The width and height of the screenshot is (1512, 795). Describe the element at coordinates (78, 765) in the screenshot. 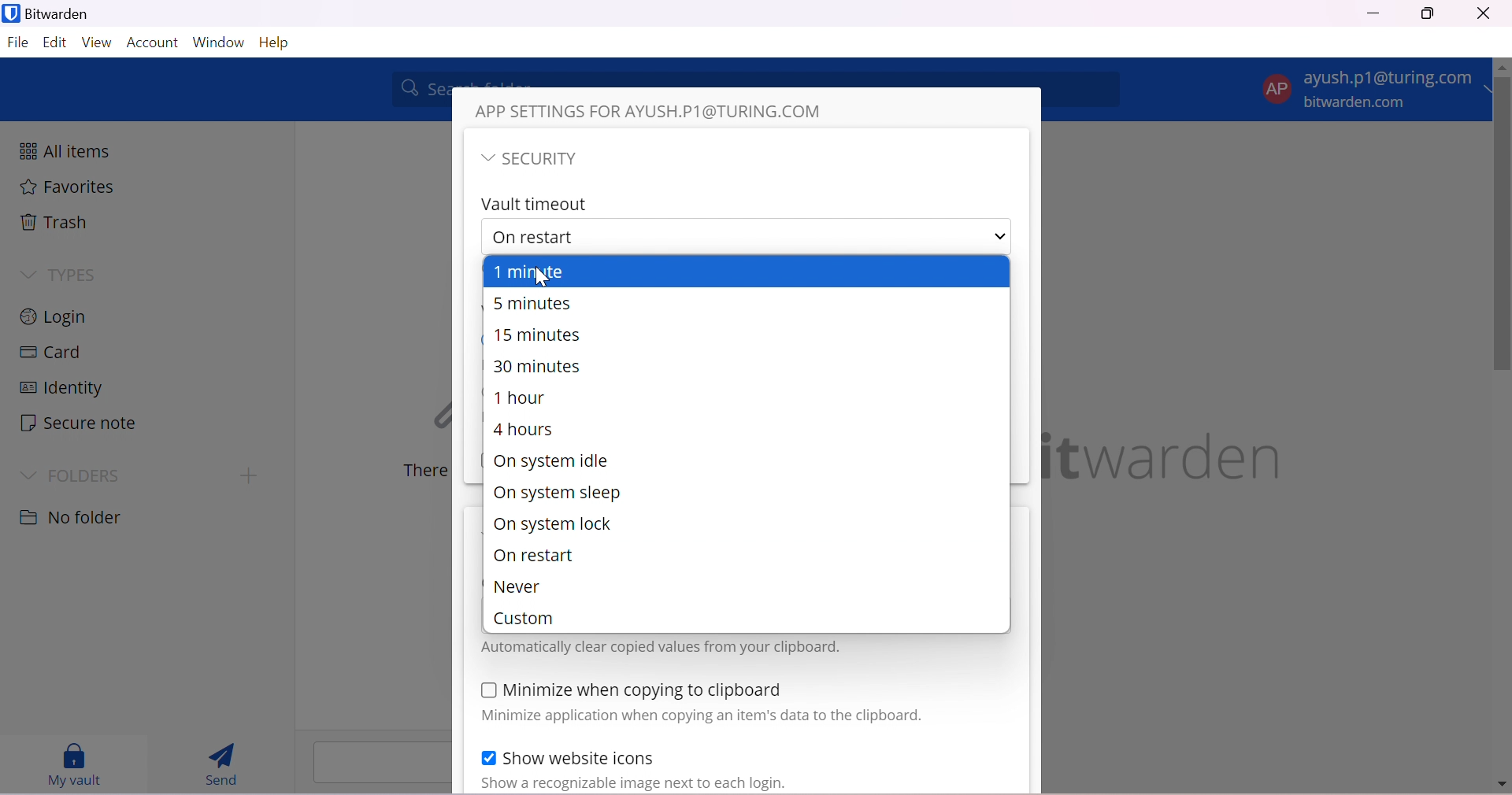

I see `My vault` at that location.